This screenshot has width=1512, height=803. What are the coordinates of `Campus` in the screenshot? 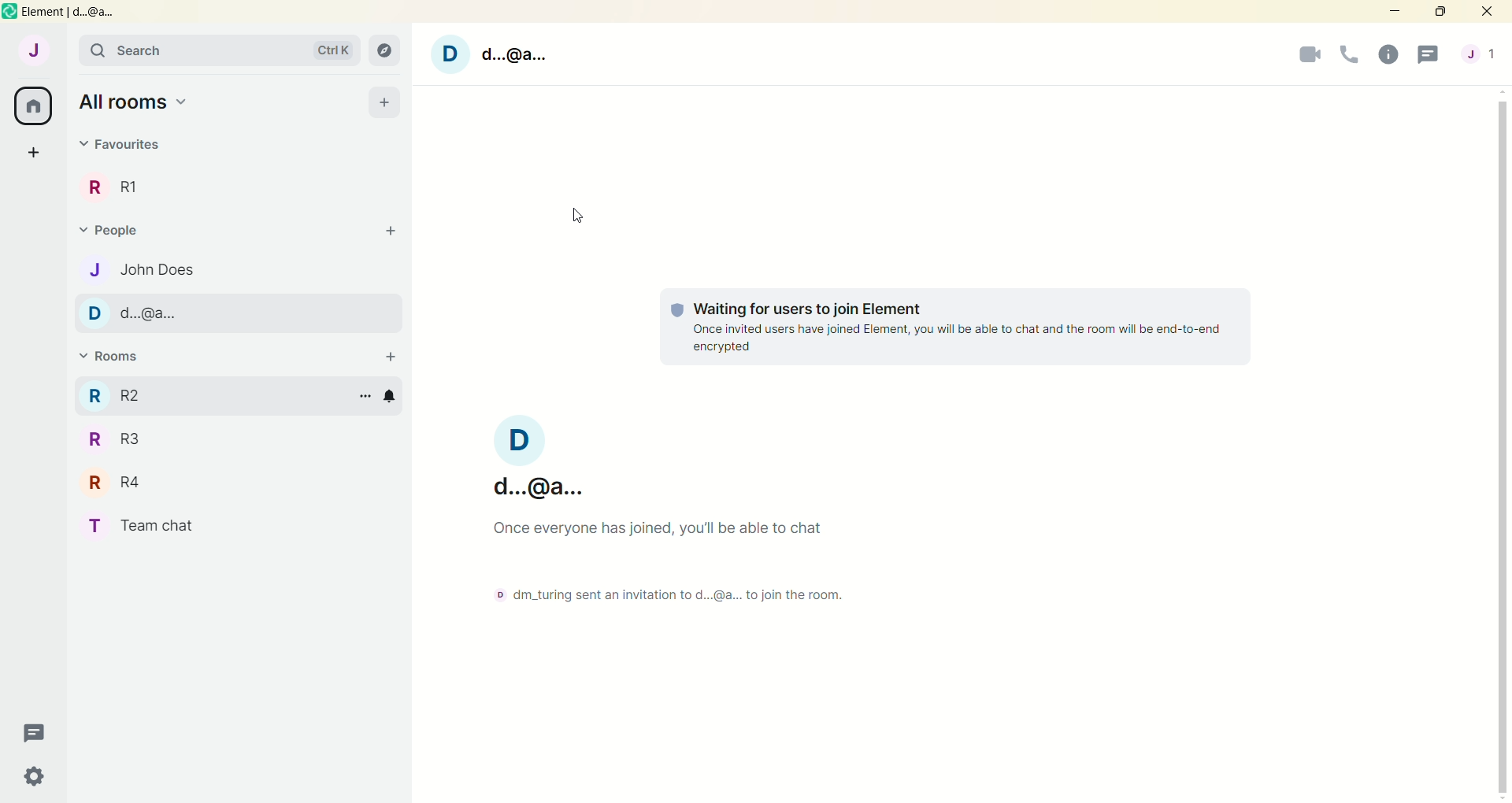 It's located at (387, 50).